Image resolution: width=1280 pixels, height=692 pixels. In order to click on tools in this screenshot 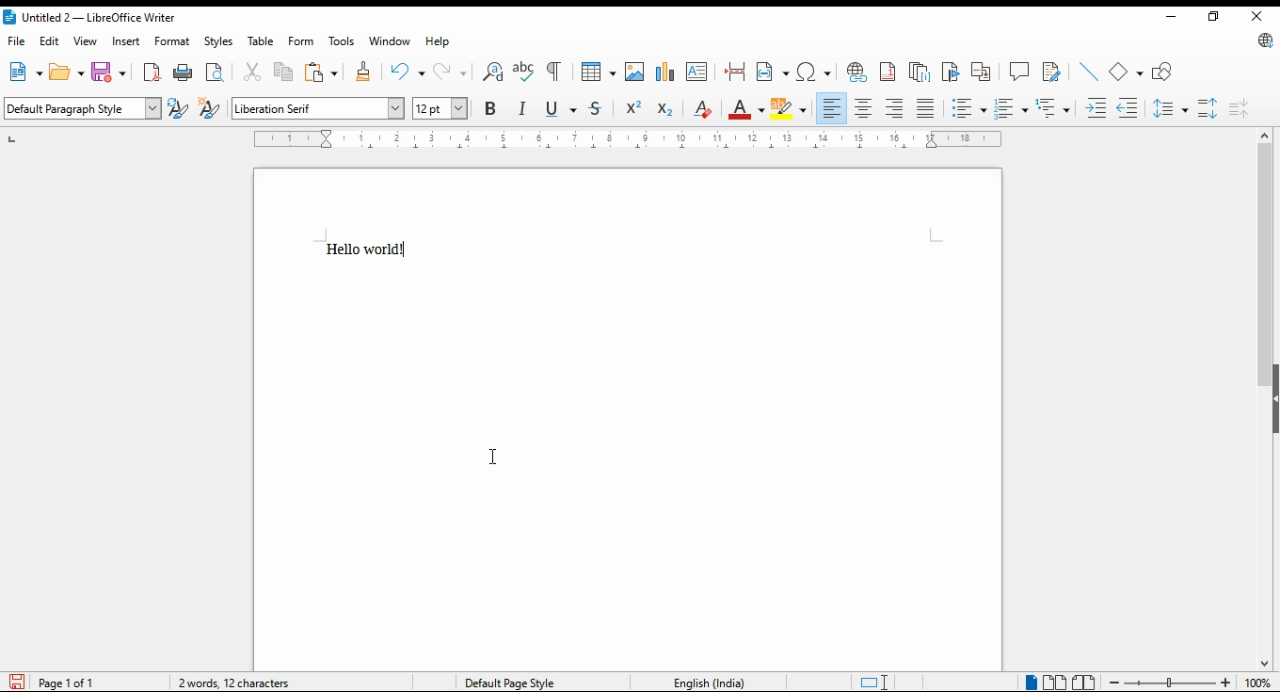, I will do `click(341, 41)`.